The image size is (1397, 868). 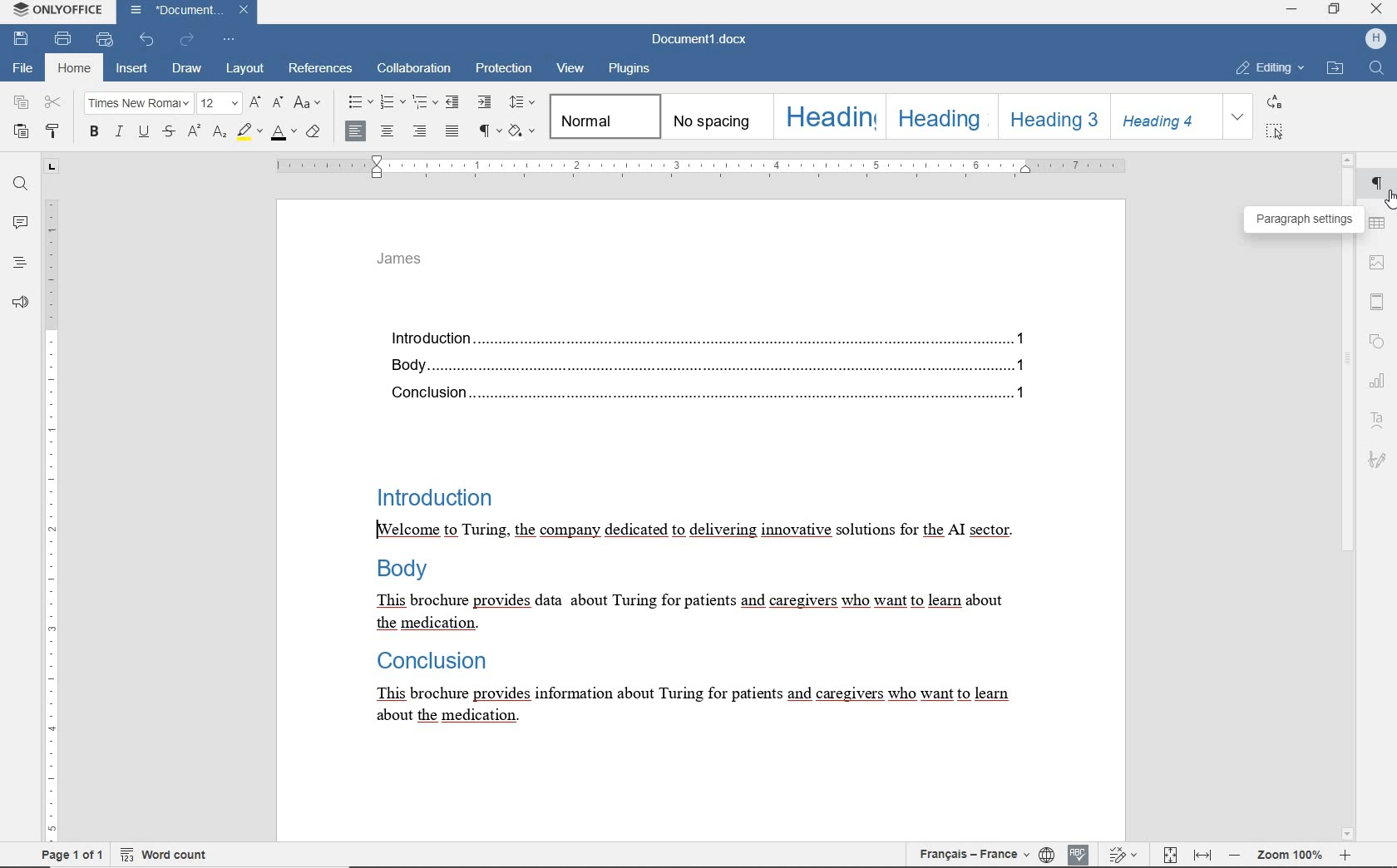 I want to click on subscript, so click(x=220, y=134).